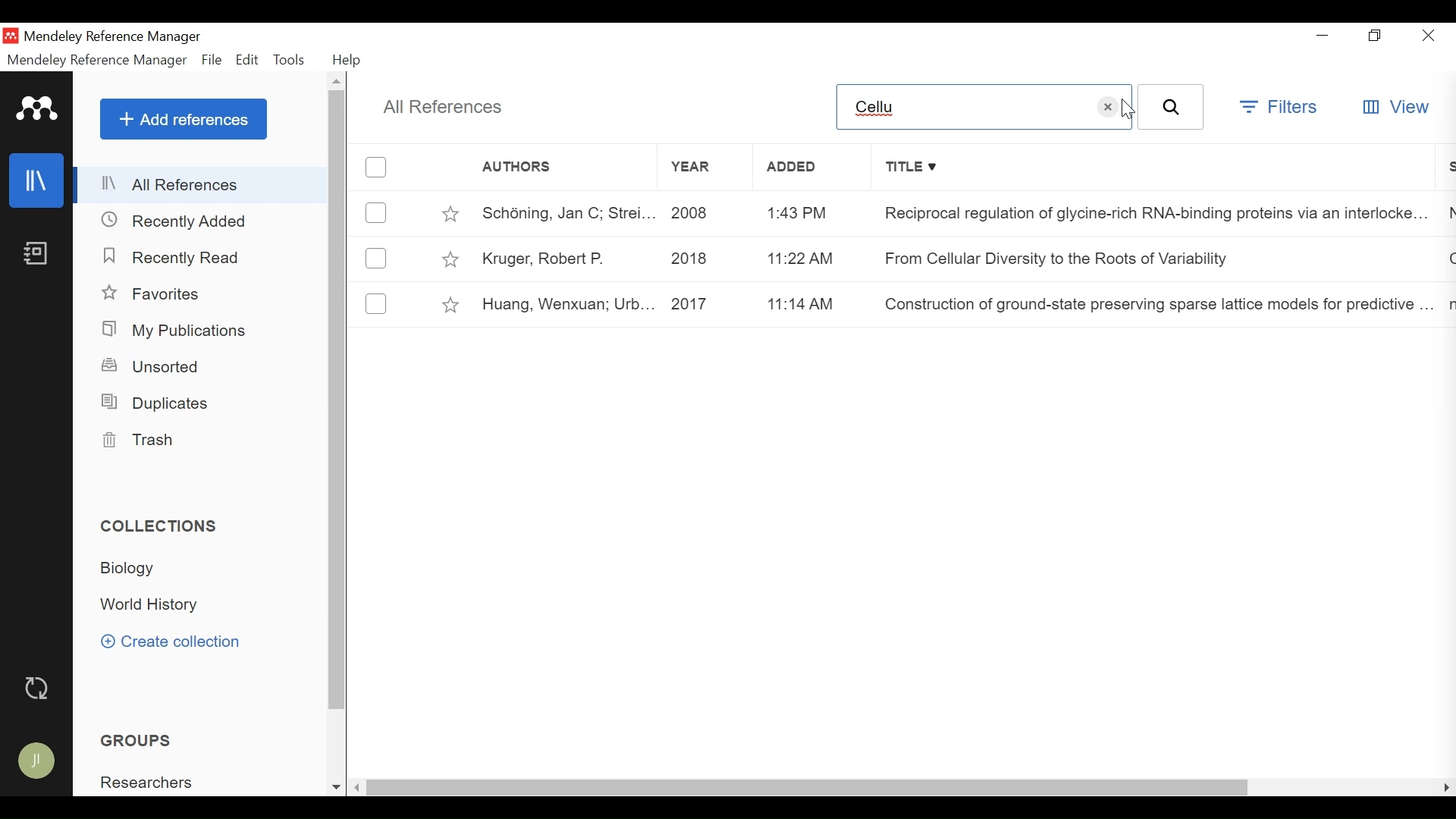 The height and width of the screenshot is (819, 1456). Describe the element at coordinates (563, 258) in the screenshot. I see `Kruger, Robert P.` at that location.